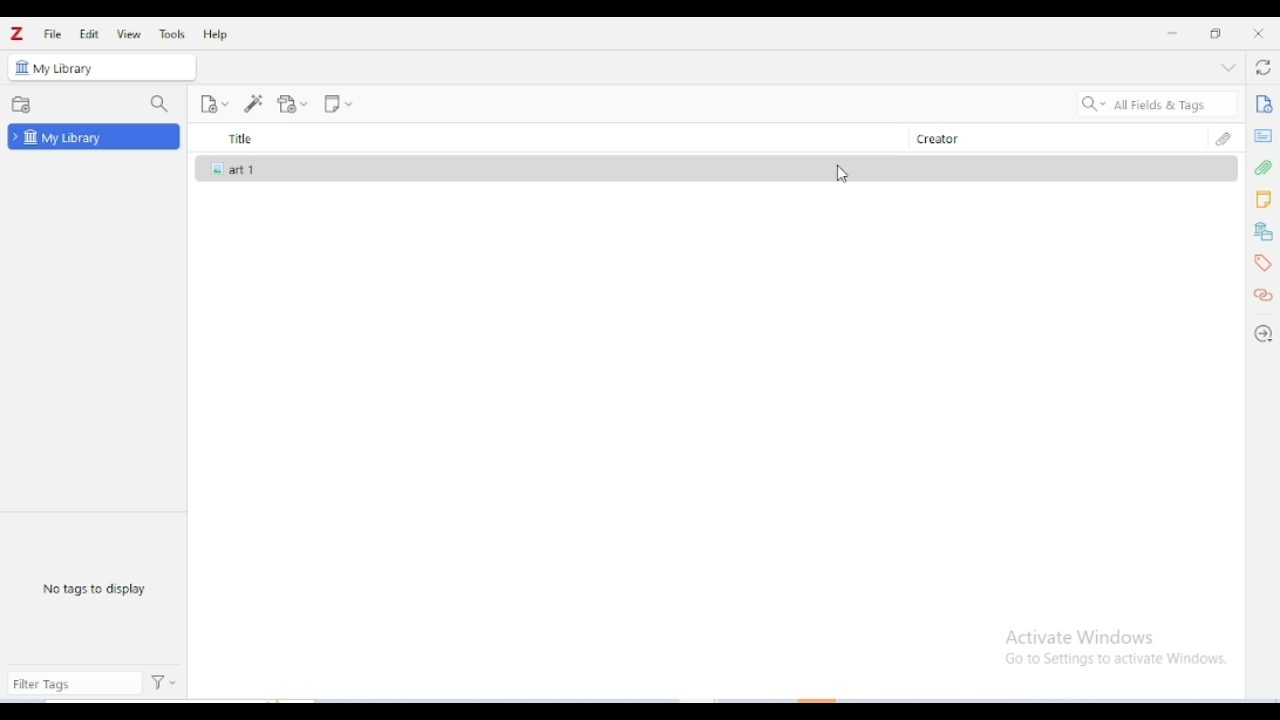 This screenshot has width=1280, height=720. Describe the element at coordinates (1173, 33) in the screenshot. I see `minimize` at that location.